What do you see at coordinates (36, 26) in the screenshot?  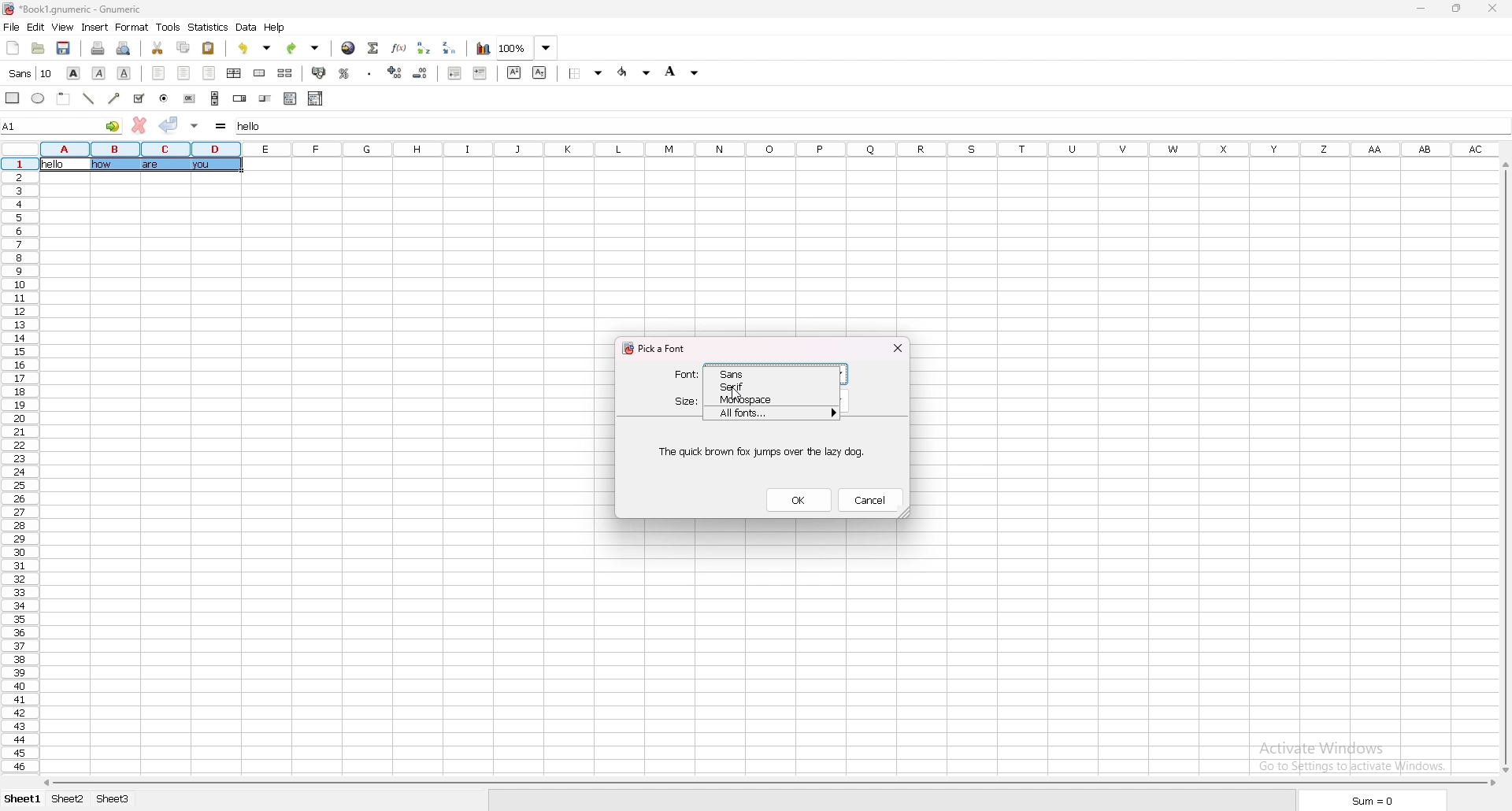 I see `edit` at bounding box center [36, 26].